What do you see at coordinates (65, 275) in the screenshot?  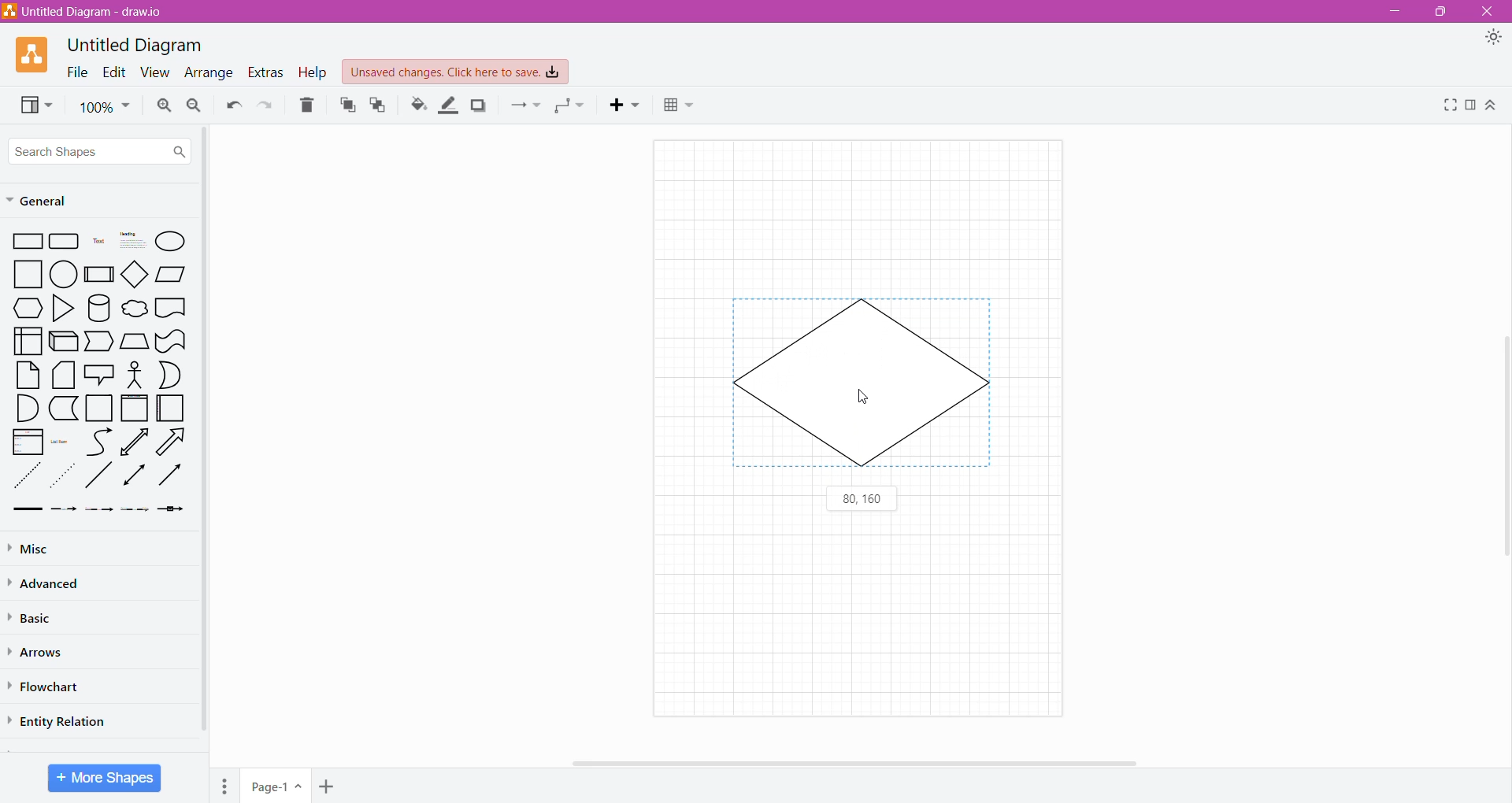 I see `Circle` at bounding box center [65, 275].